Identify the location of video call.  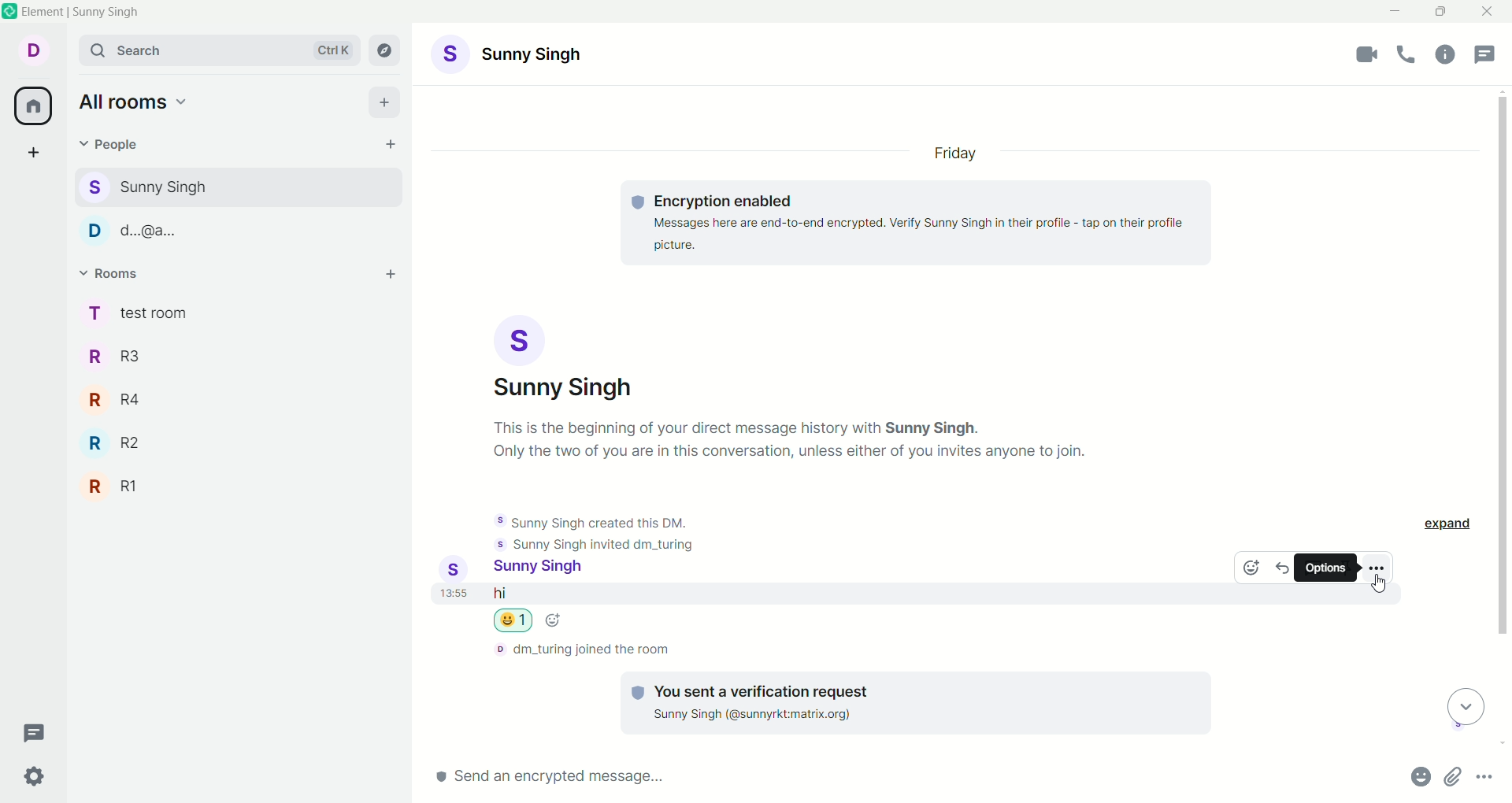
(1365, 55).